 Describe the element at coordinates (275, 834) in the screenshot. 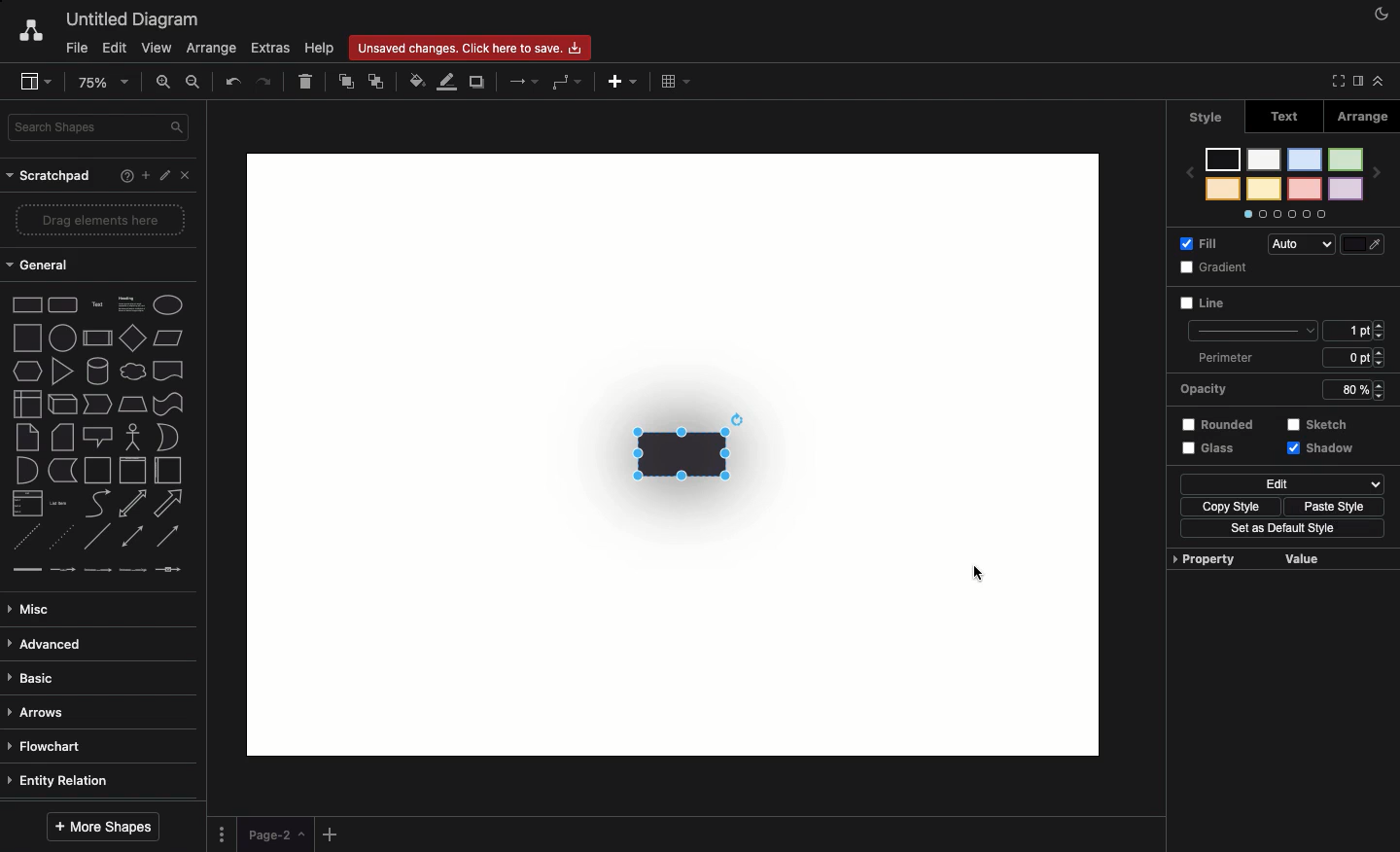

I see `Page` at that location.